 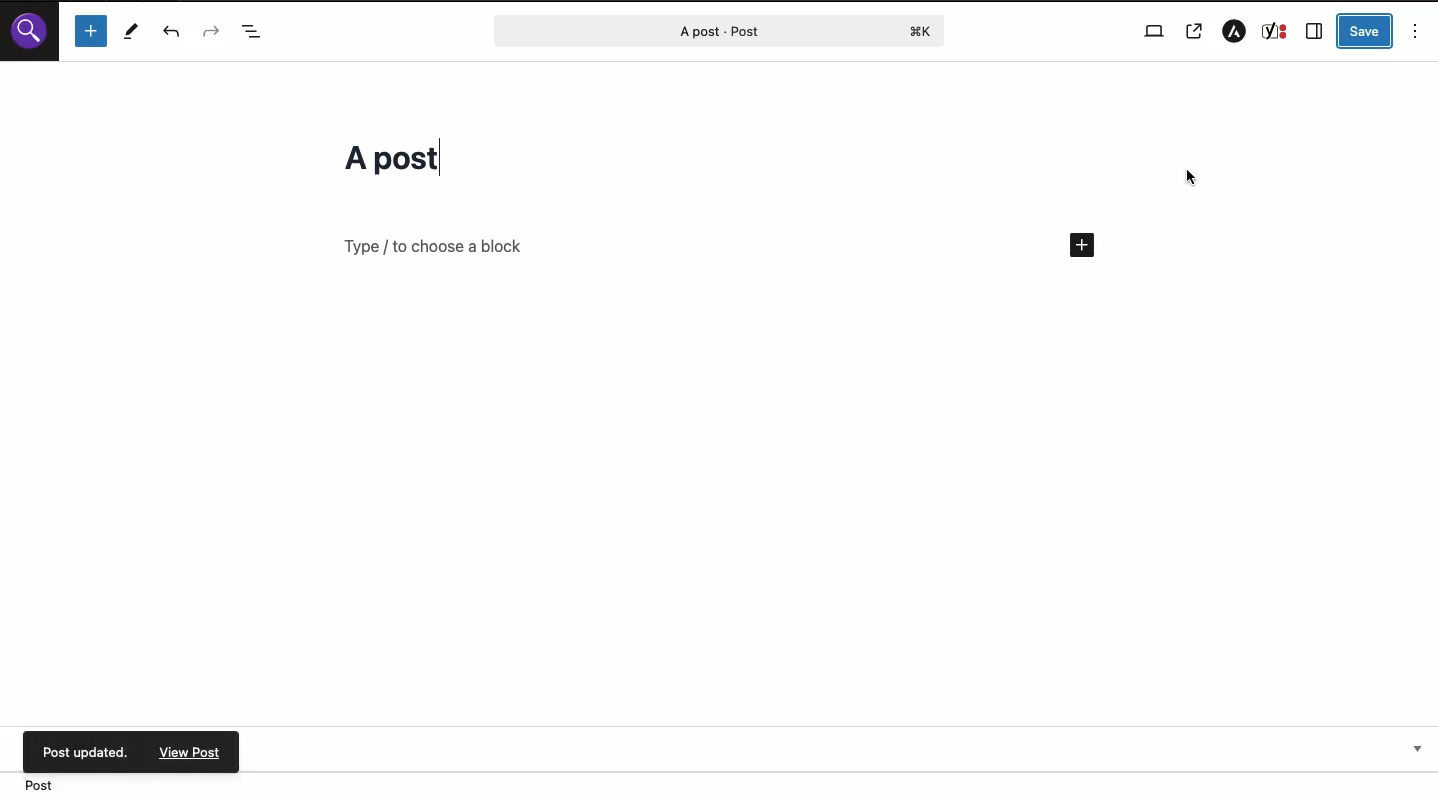 I want to click on UNDO, so click(x=171, y=33).